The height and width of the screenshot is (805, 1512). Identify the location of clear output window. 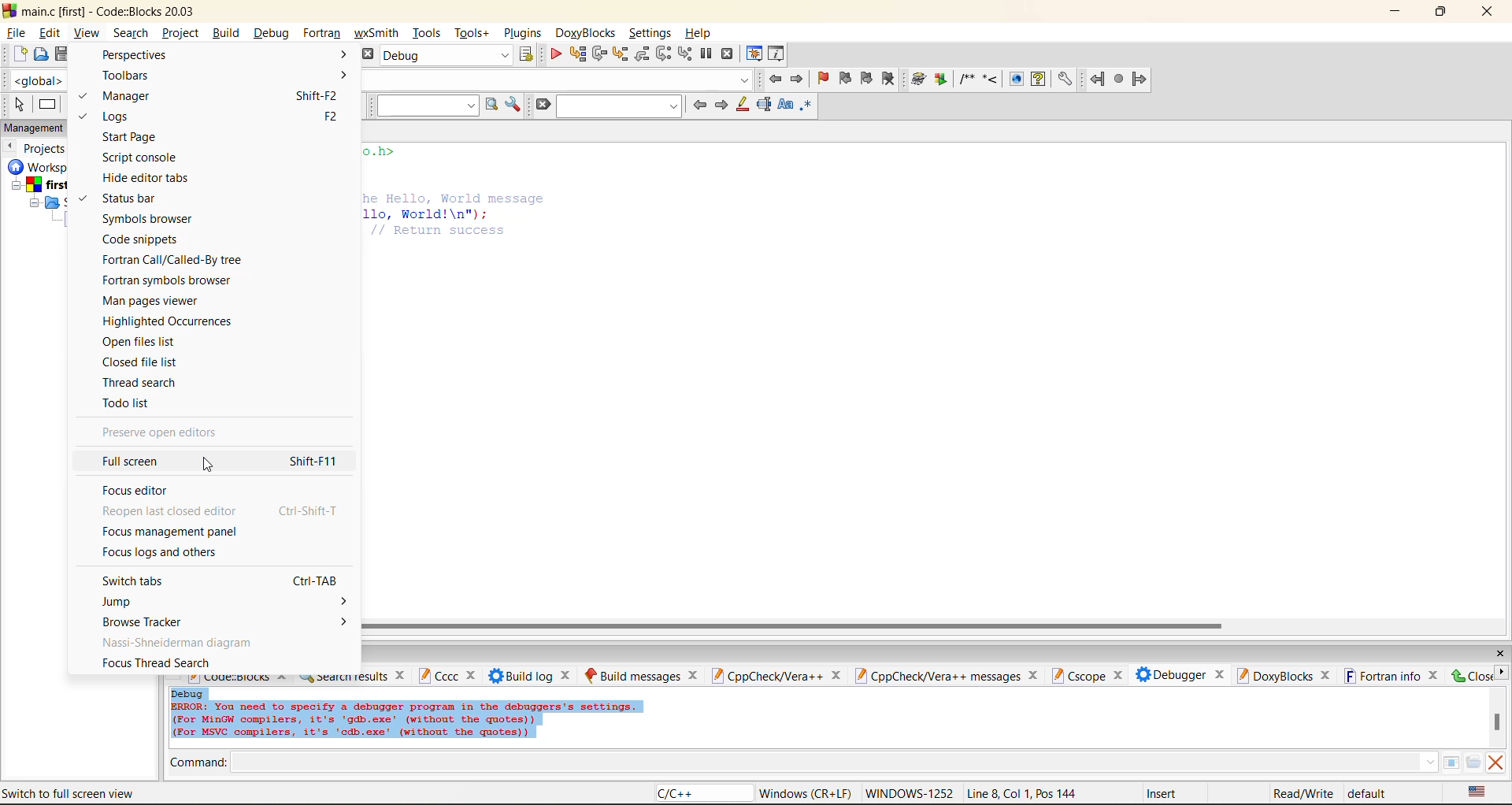
(1499, 763).